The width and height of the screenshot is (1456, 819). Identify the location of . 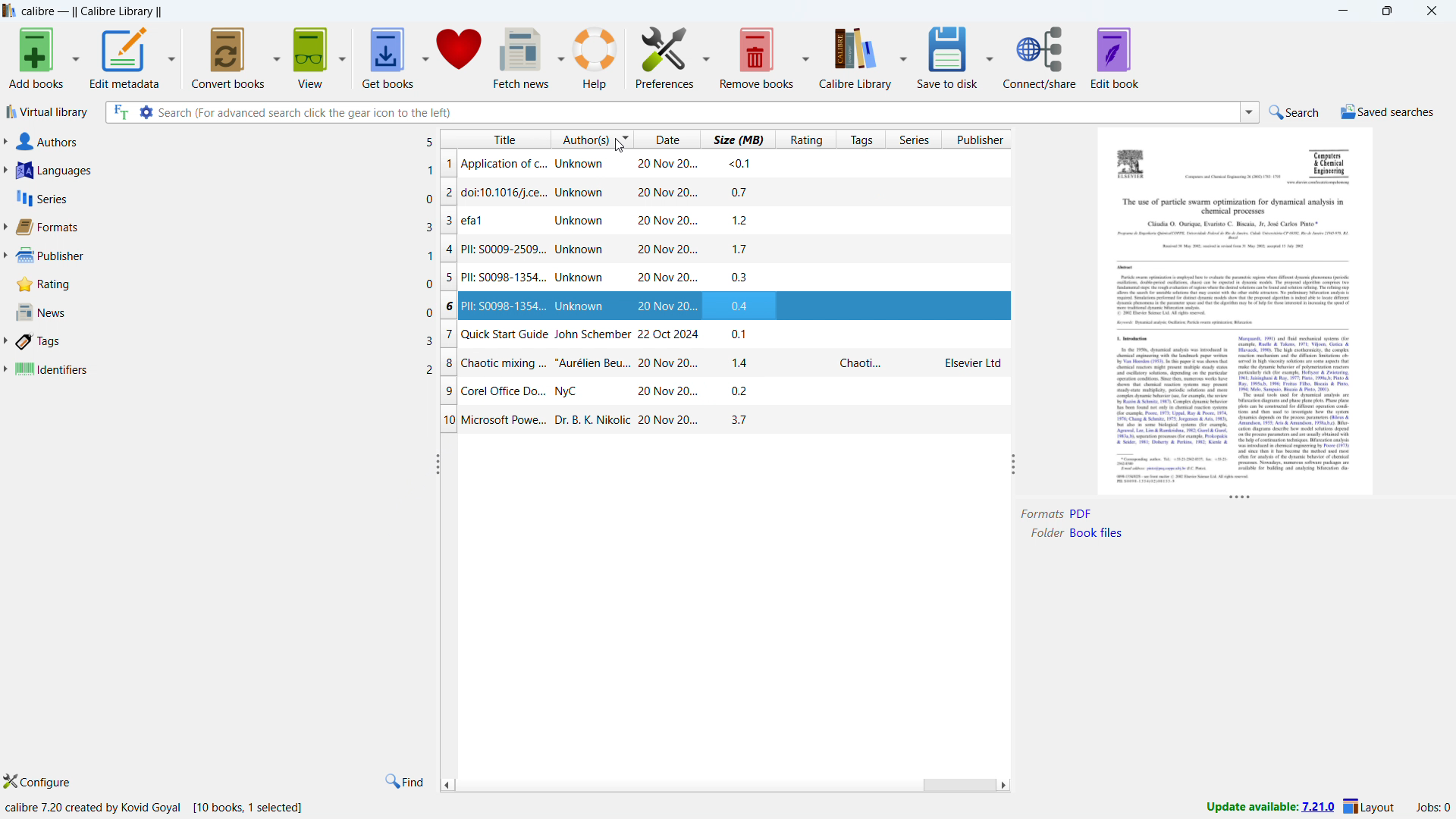
(1233, 300).